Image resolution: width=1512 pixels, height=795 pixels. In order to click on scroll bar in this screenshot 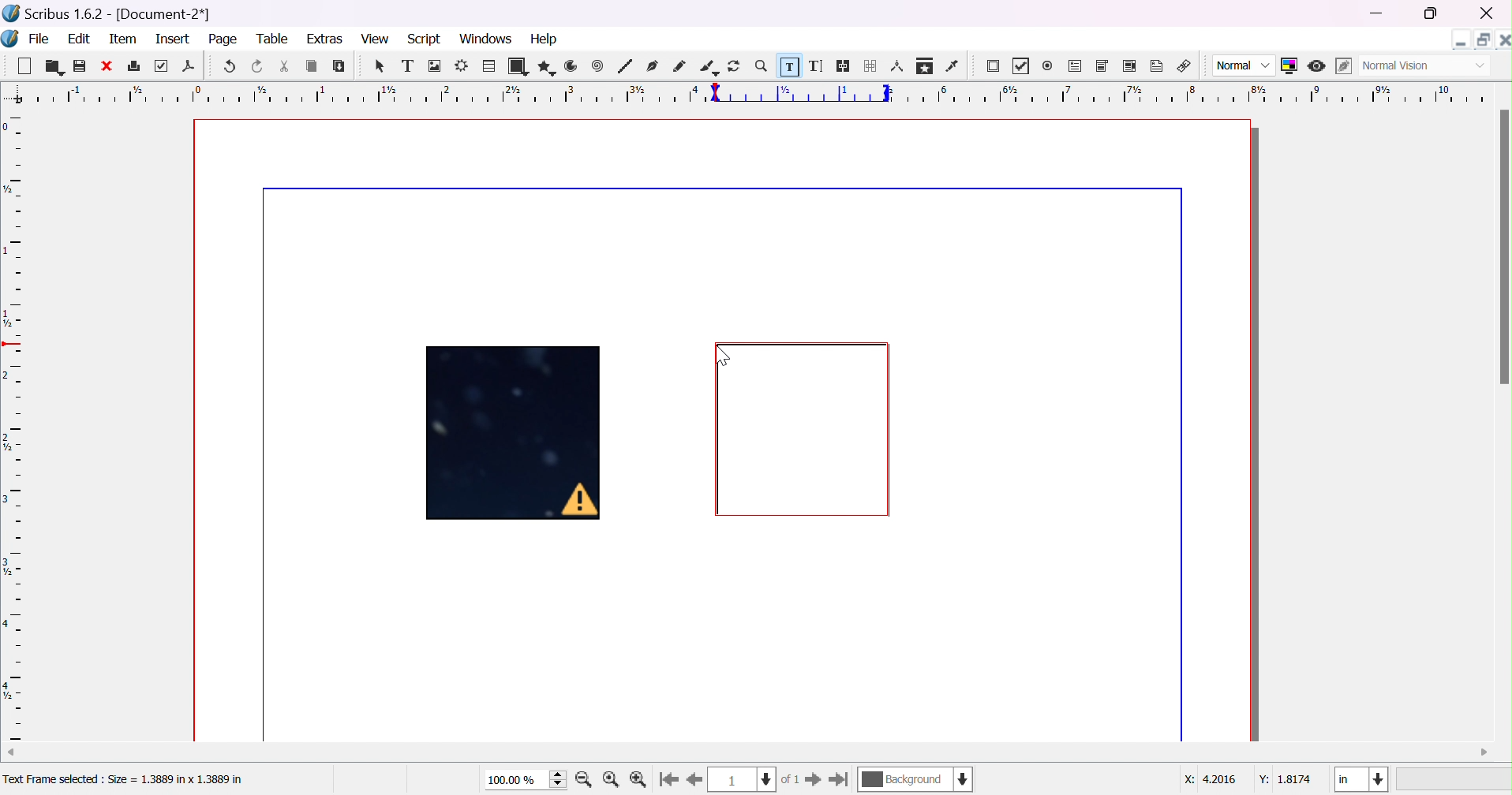, I will do `click(1503, 247)`.